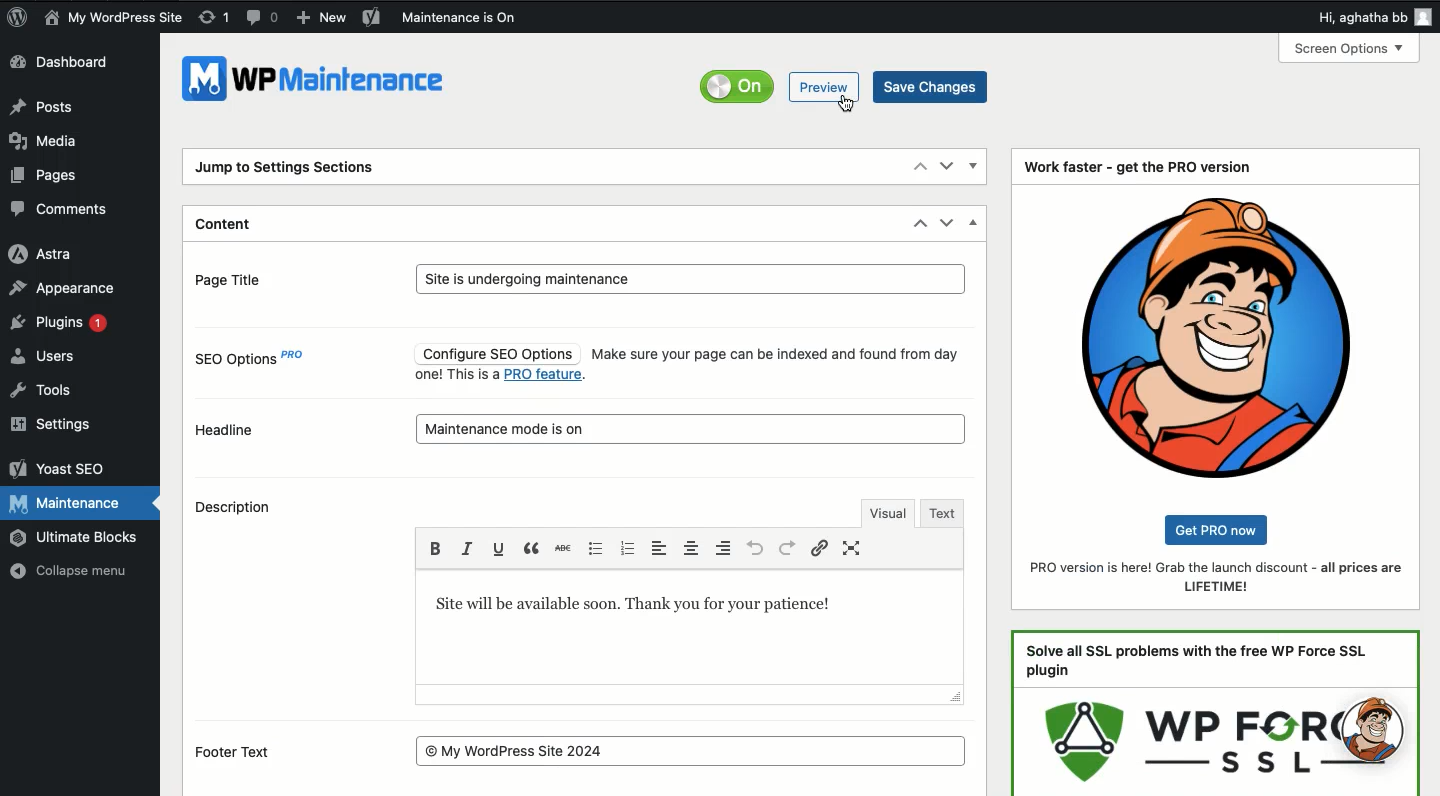 The height and width of the screenshot is (796, 1440). I want to click on Preview, so click(825, 87).